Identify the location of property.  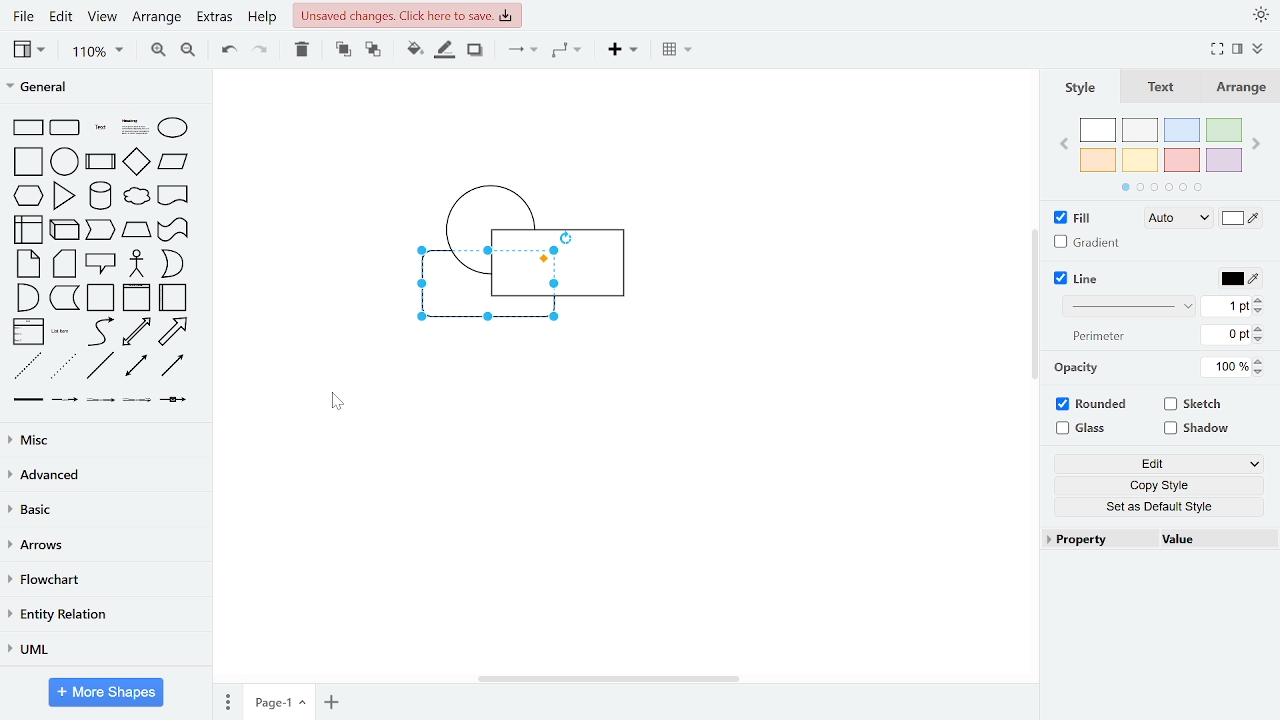
(1096, 539).